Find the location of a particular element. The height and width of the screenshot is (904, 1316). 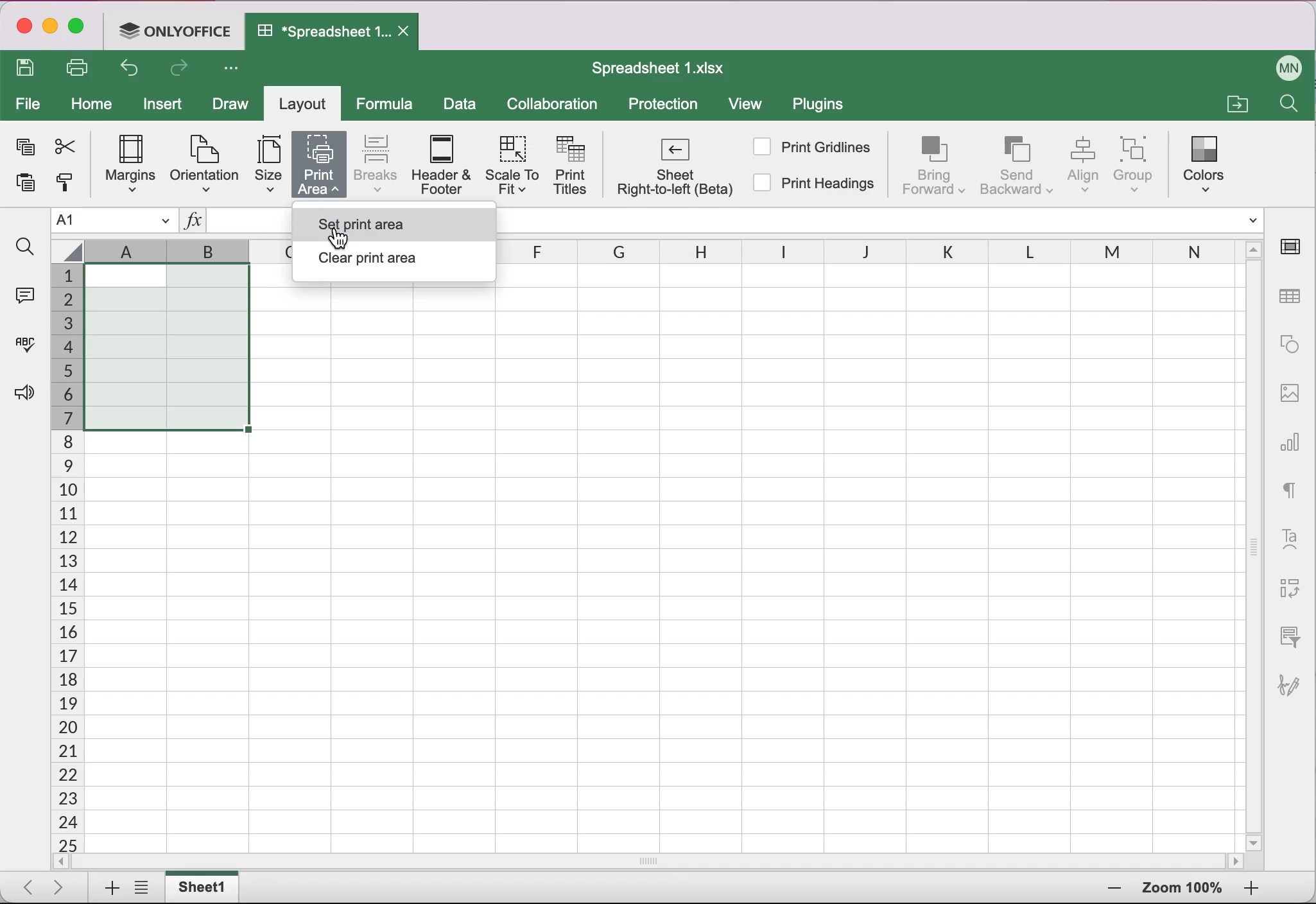

formula bar is located at coordinates (887, 220).